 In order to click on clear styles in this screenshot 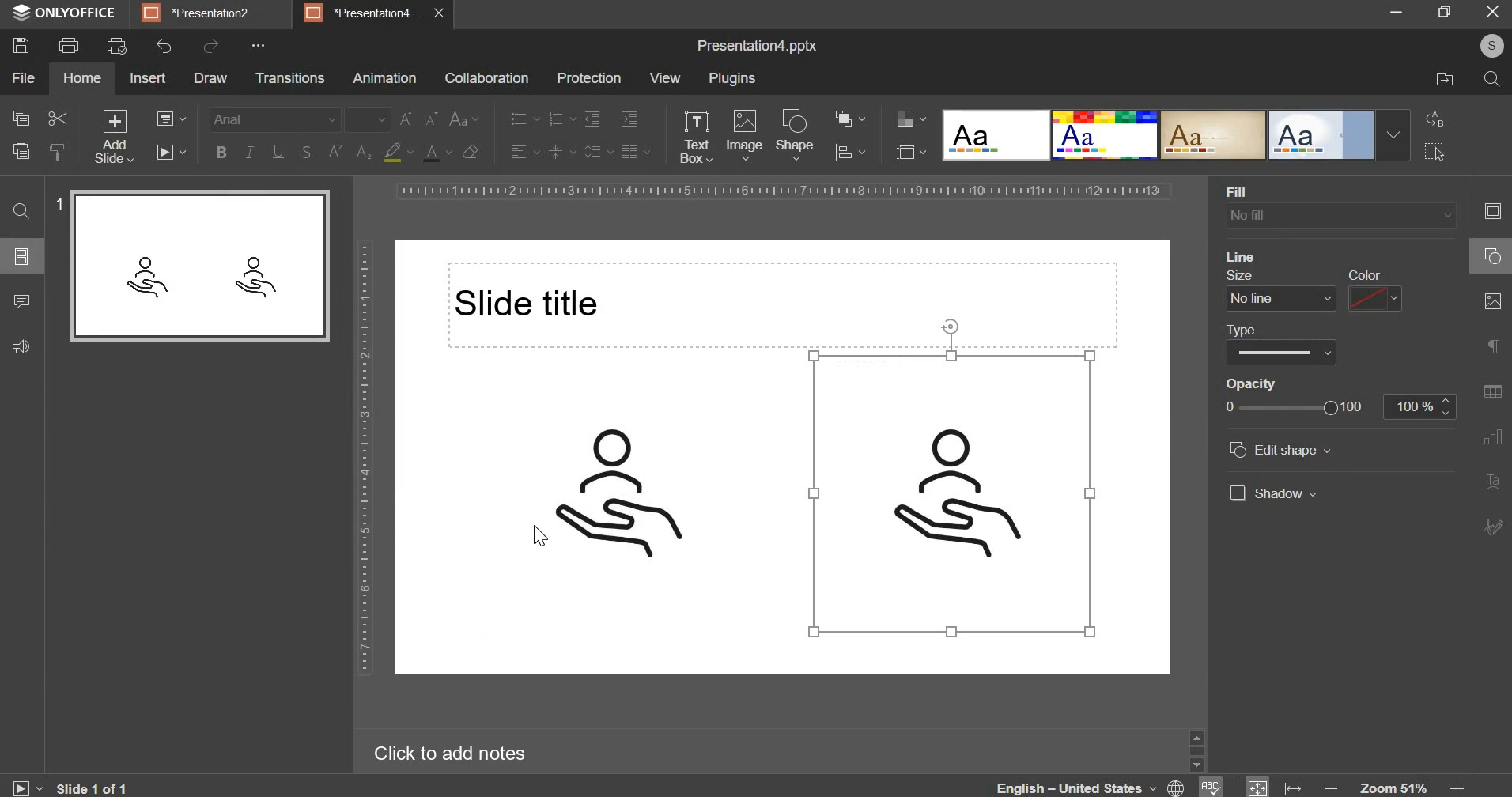, I will do `click(471, 152)`.